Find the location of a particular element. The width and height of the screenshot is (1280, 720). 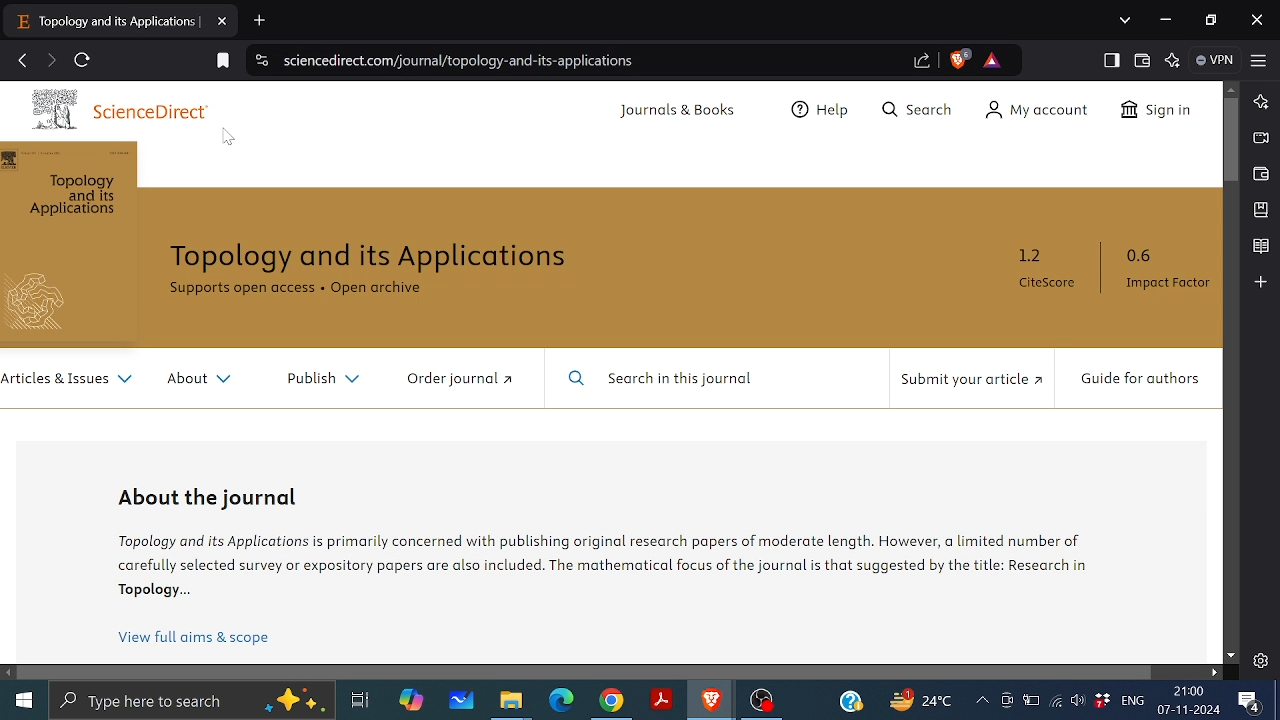

Reading list is located at coordinates (1260, 247).